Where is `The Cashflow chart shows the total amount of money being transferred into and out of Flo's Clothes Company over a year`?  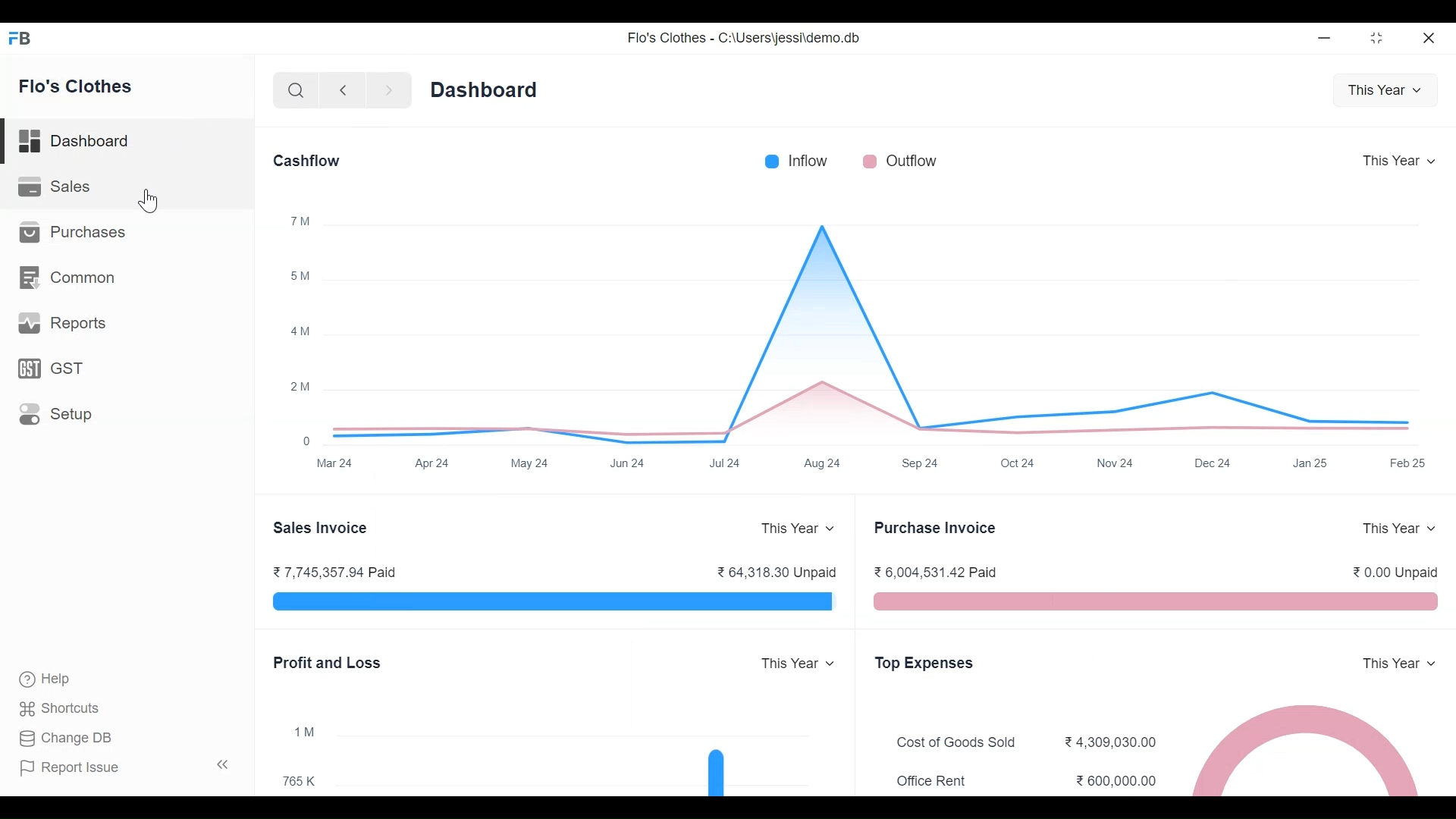 The Cashflow chart shows the total amount of money being transferred into and out of Flo's Clothes Company over a year is located at coordinates (883, 329).